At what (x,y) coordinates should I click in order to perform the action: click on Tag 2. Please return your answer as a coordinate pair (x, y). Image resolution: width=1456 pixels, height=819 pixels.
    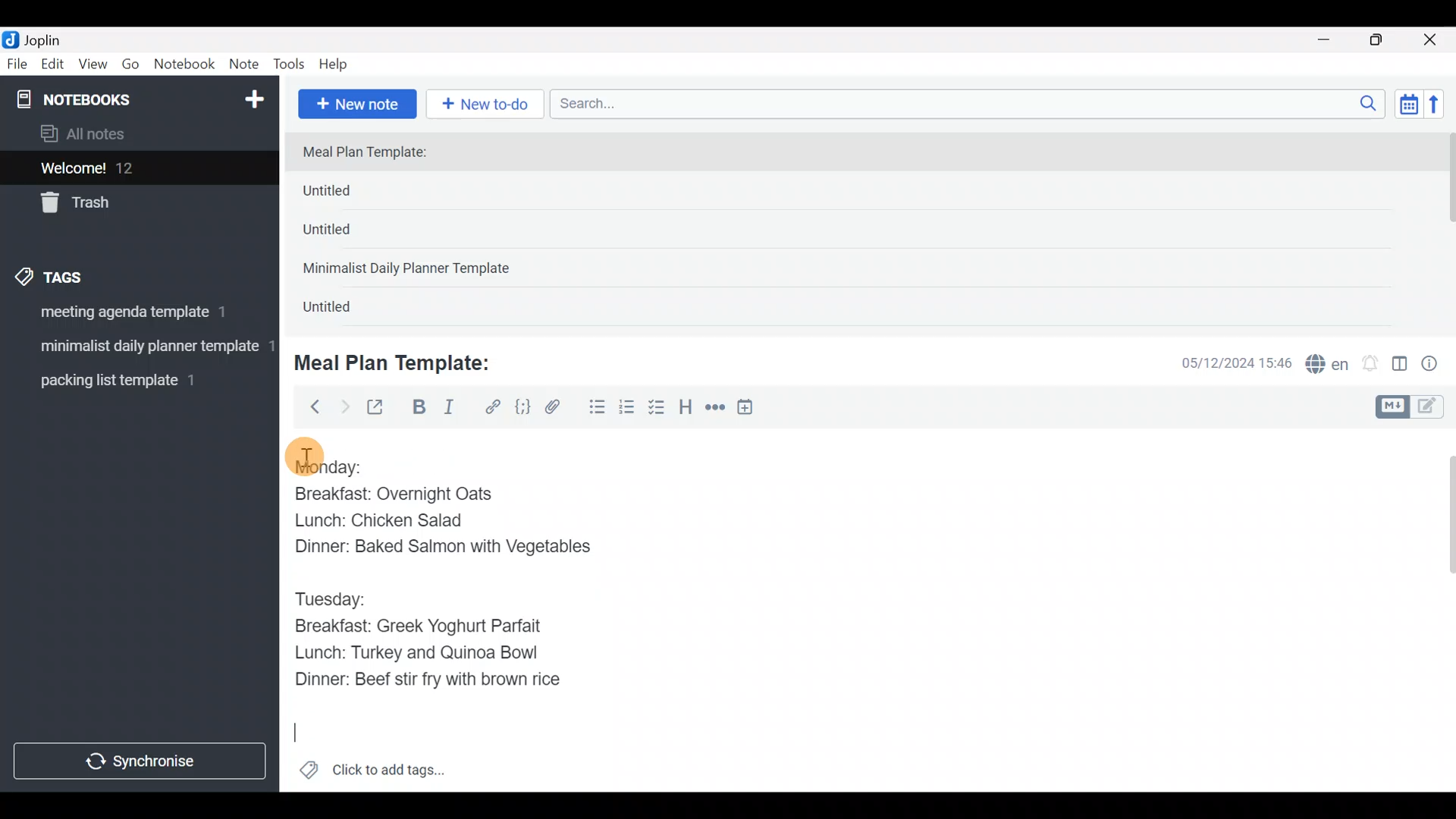
    Looking at the image, I should click on (139, 348).